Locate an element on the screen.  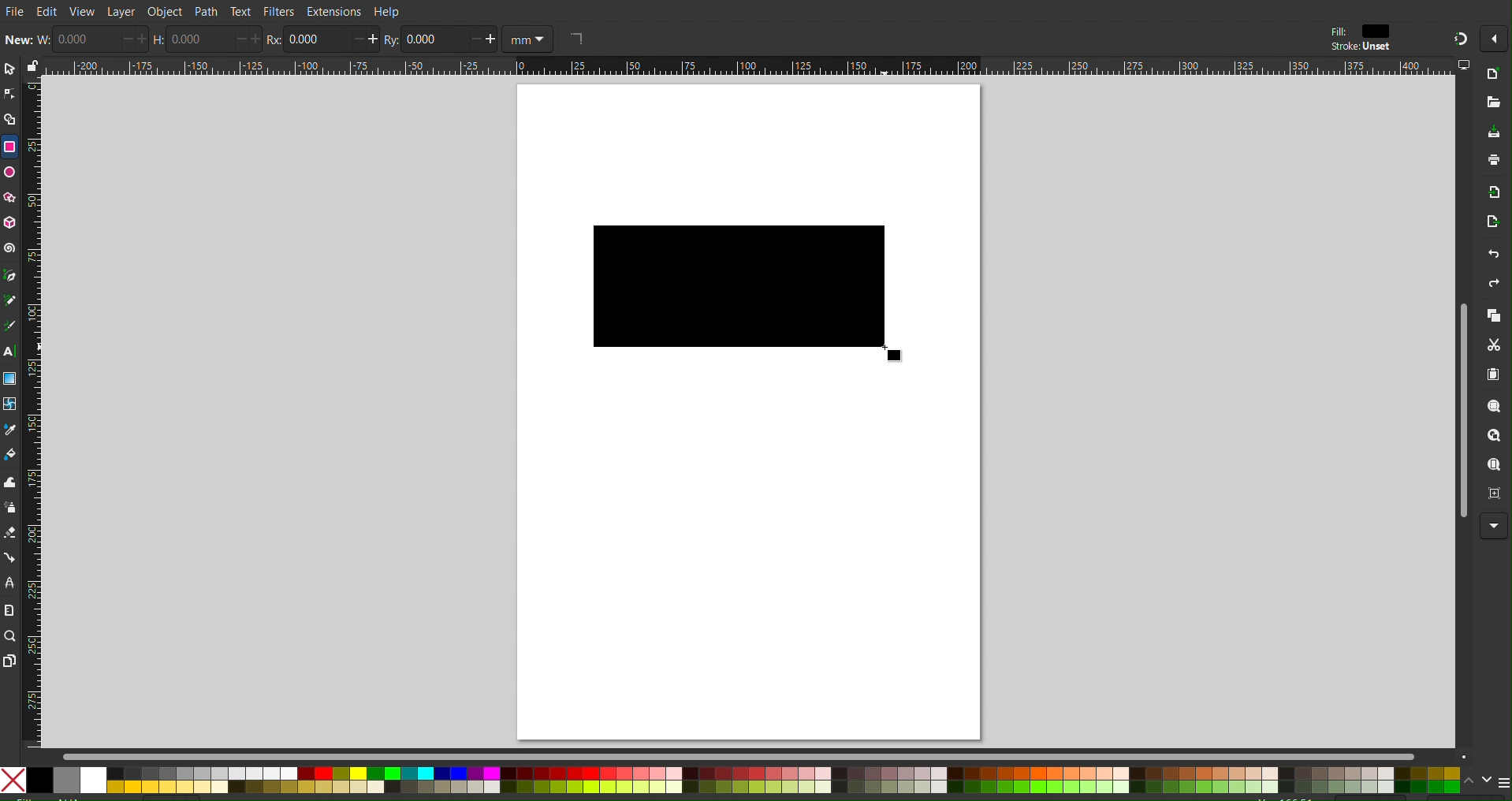
Text Tool is located at coordinates (9, 352).